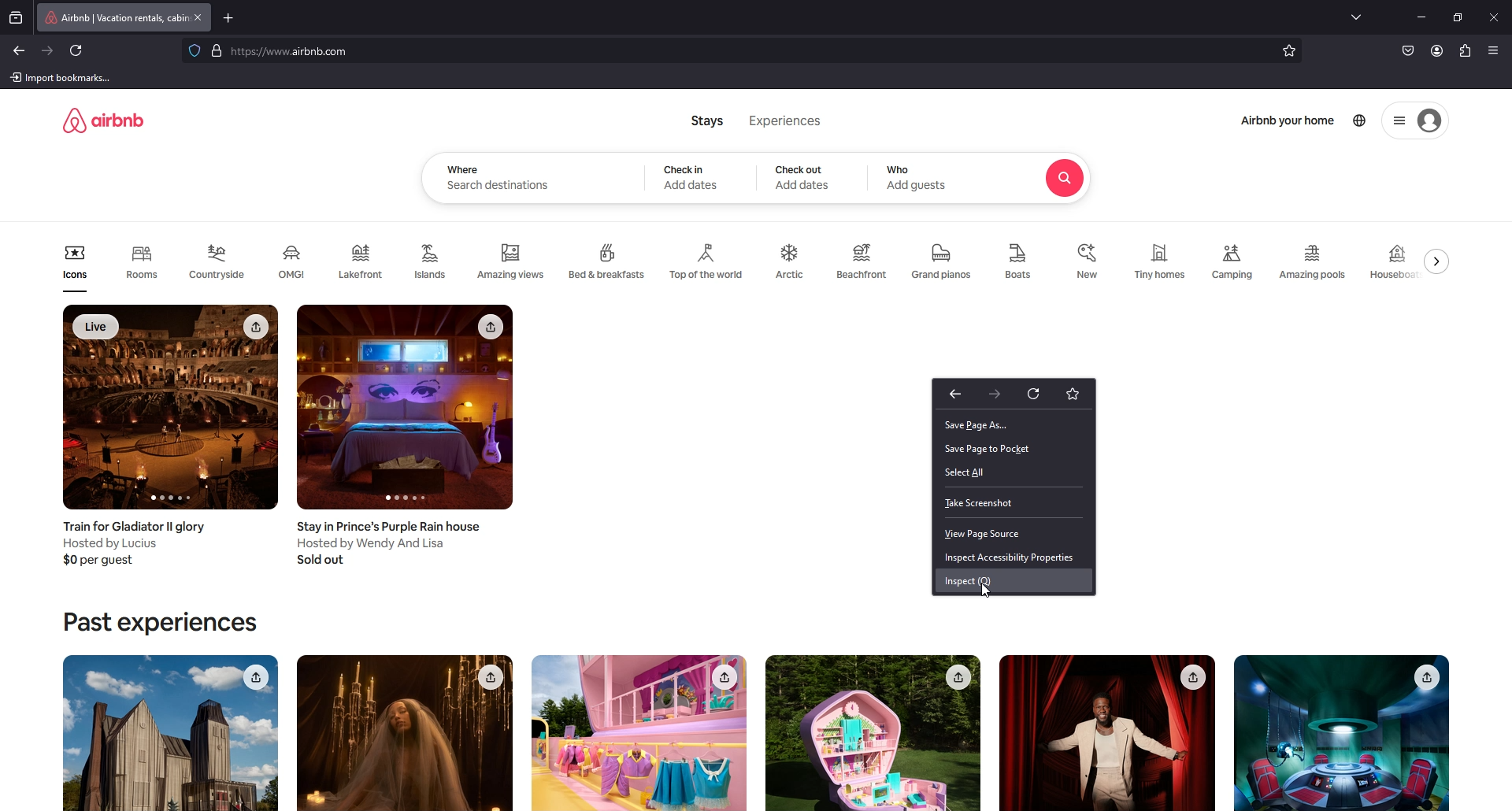 The width and height of the screenshot is (1512, 811). I want to click on Train for Gladiator Il glory Hosted by Lucius $0 per guest., so click(137, 544).